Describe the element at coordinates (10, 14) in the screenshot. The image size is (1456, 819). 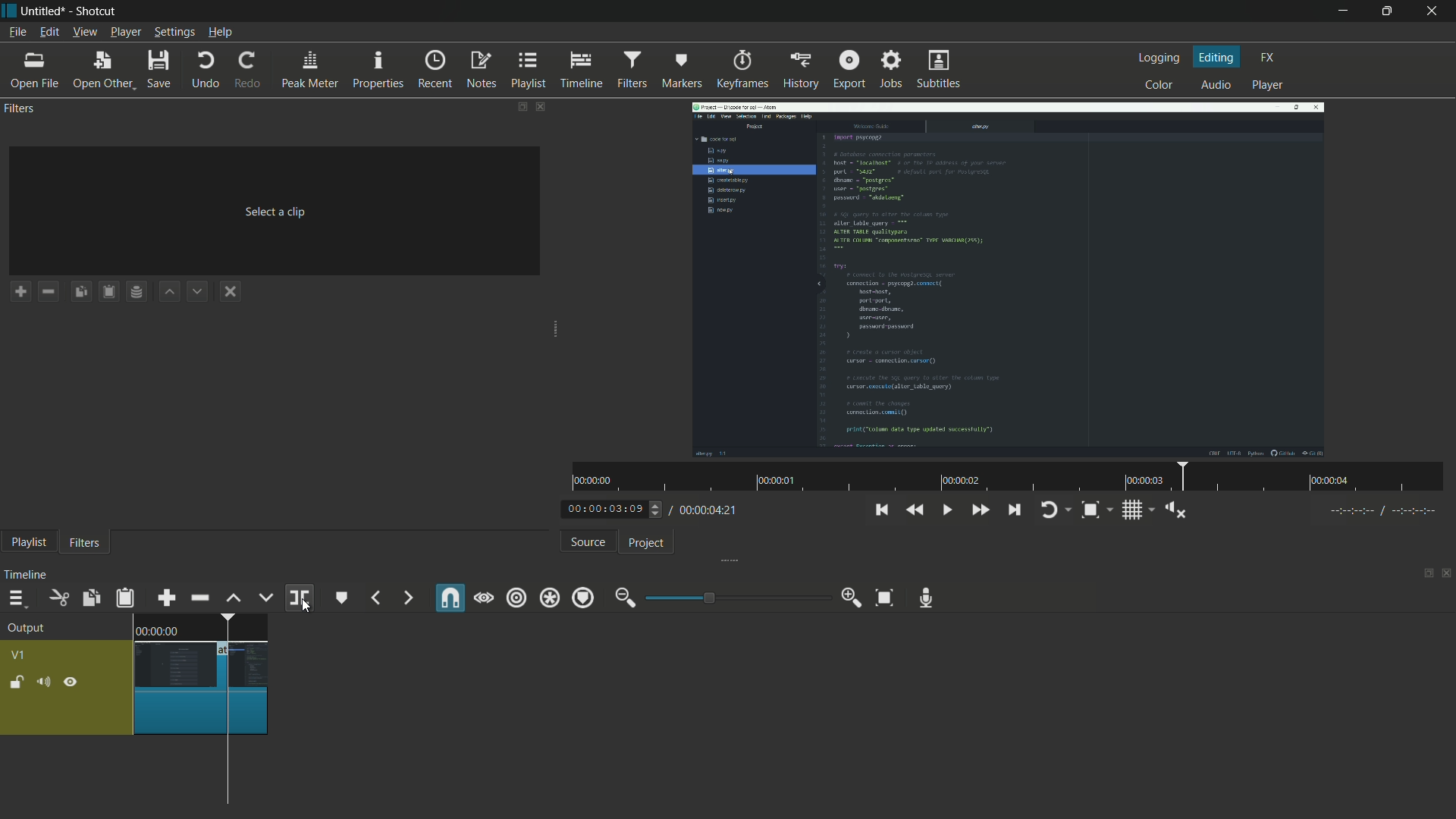
I see `app icon` at that location.